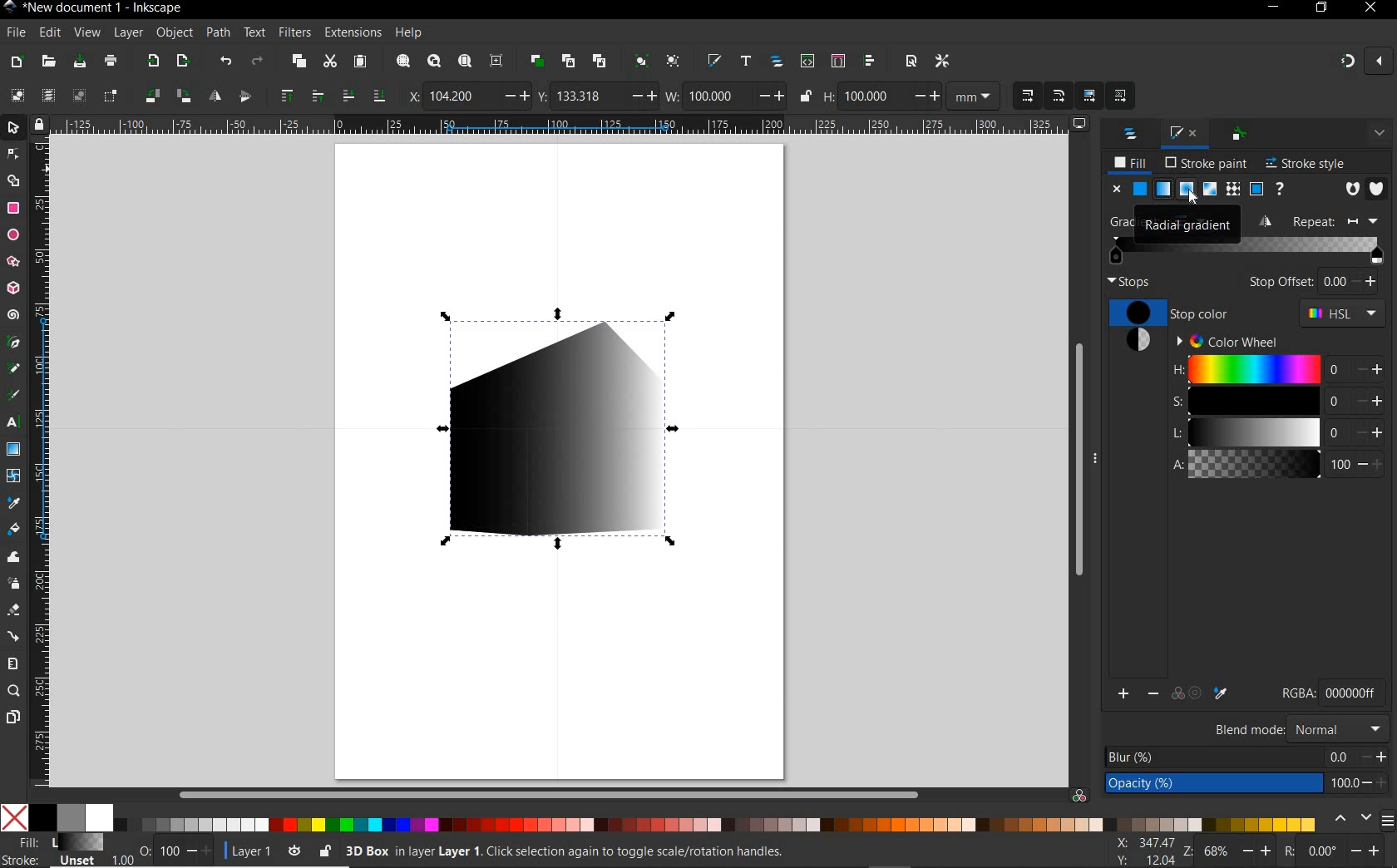 The height and width of the screenshot is (868, 1397). I want to click on VIEW, so click(86, 34).